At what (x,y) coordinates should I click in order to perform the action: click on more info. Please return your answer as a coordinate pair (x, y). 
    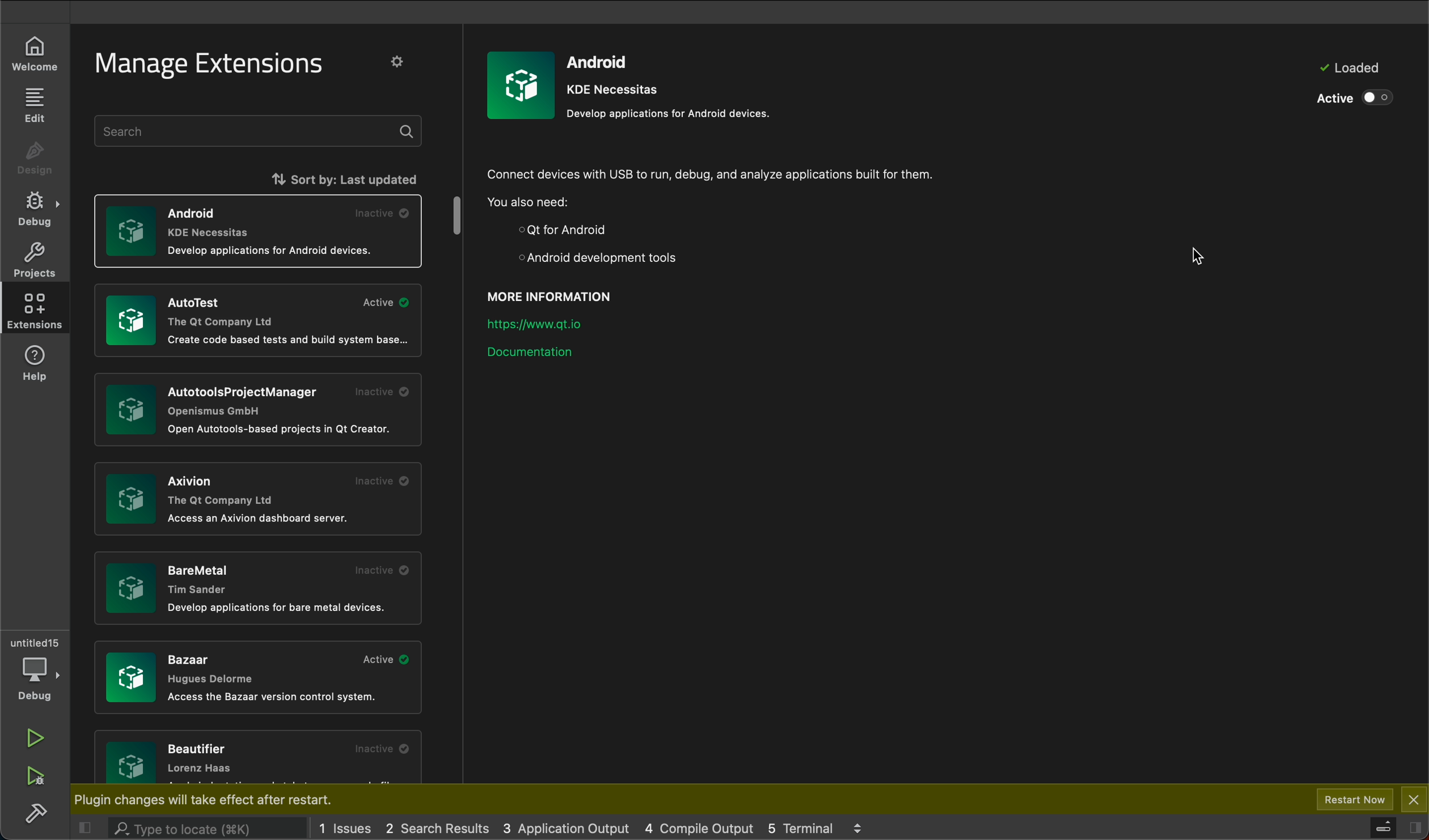
    Looking at the image, I should click on (563, 293).